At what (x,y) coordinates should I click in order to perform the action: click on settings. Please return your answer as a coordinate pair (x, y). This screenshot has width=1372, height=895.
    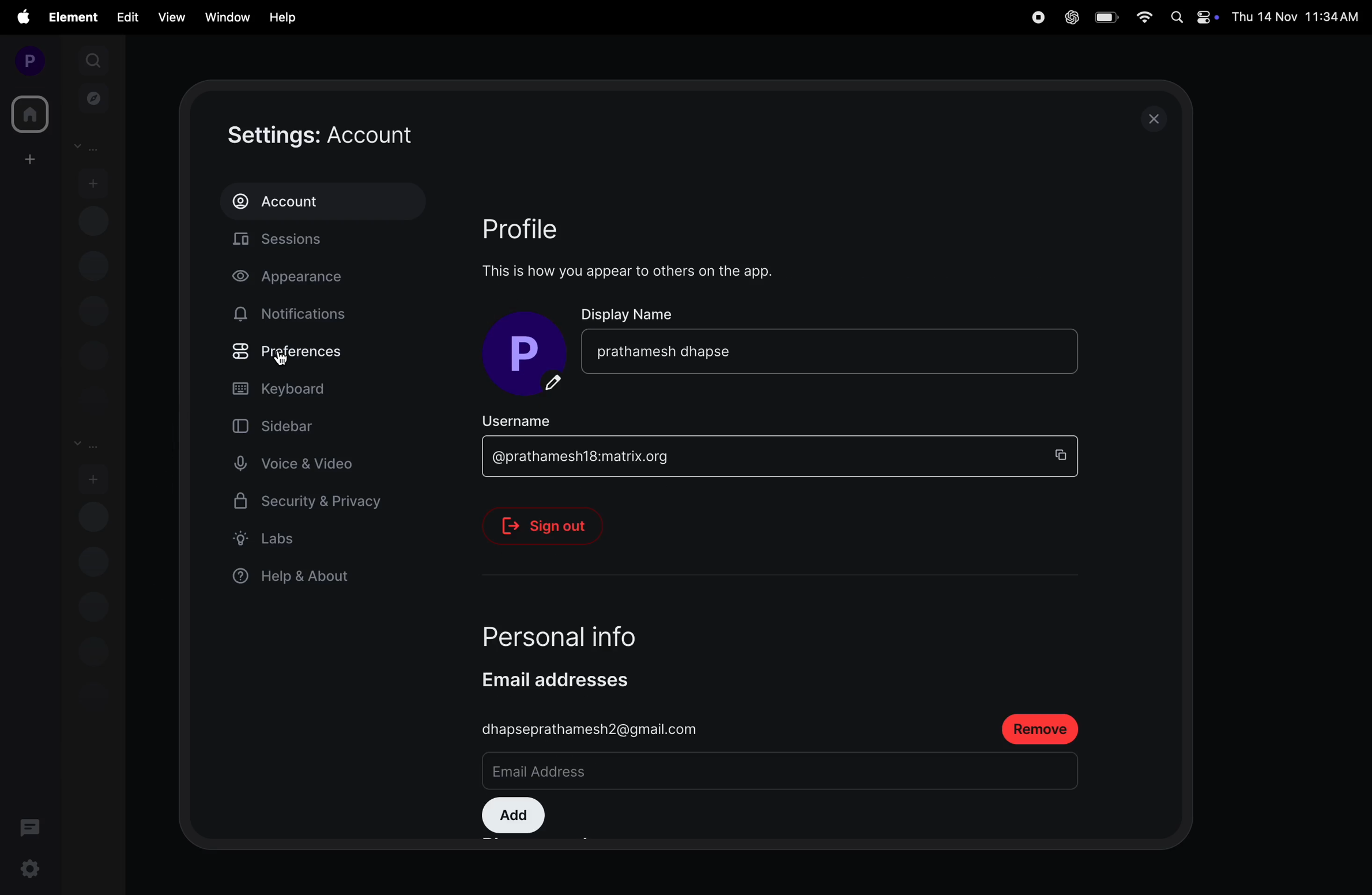
    Looking at the image, I should click on (29, 868).